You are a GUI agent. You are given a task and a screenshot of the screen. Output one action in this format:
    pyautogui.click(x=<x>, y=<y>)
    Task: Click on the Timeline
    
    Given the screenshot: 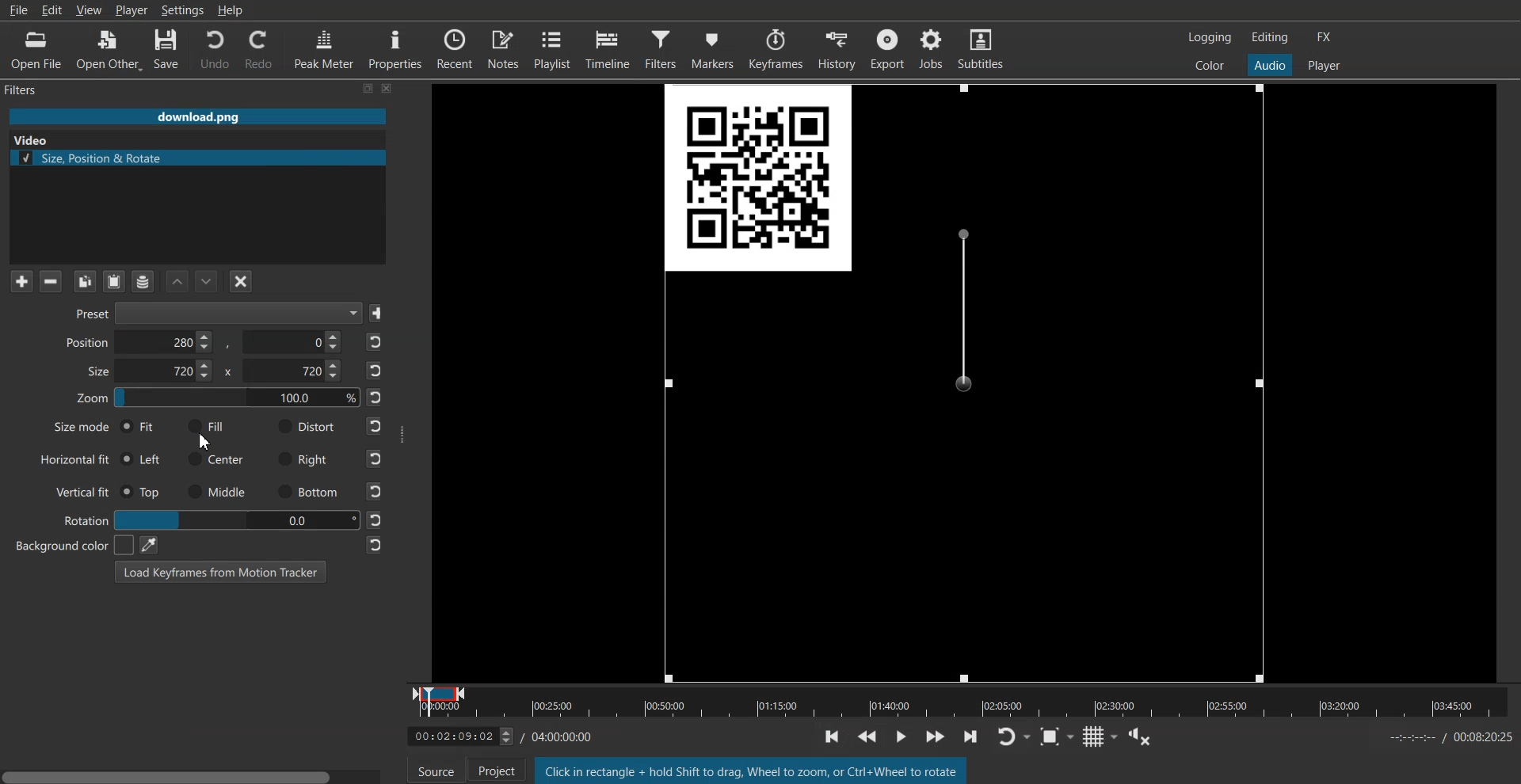 What is the action you would take?
    pyautogui.click(x=452, y=737)
    